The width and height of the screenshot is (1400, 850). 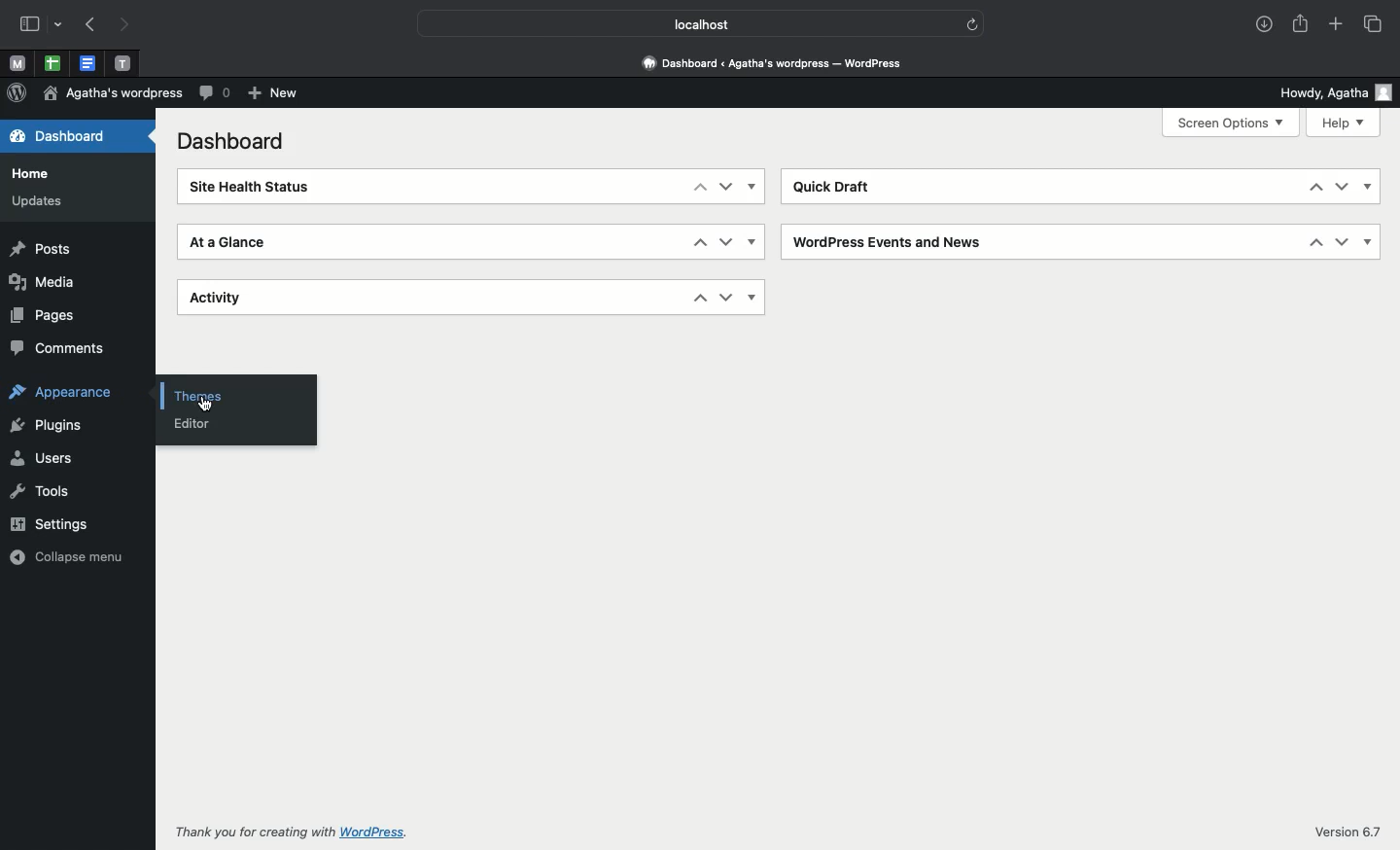 I want to click on refresh, so click(x=972, y=22).